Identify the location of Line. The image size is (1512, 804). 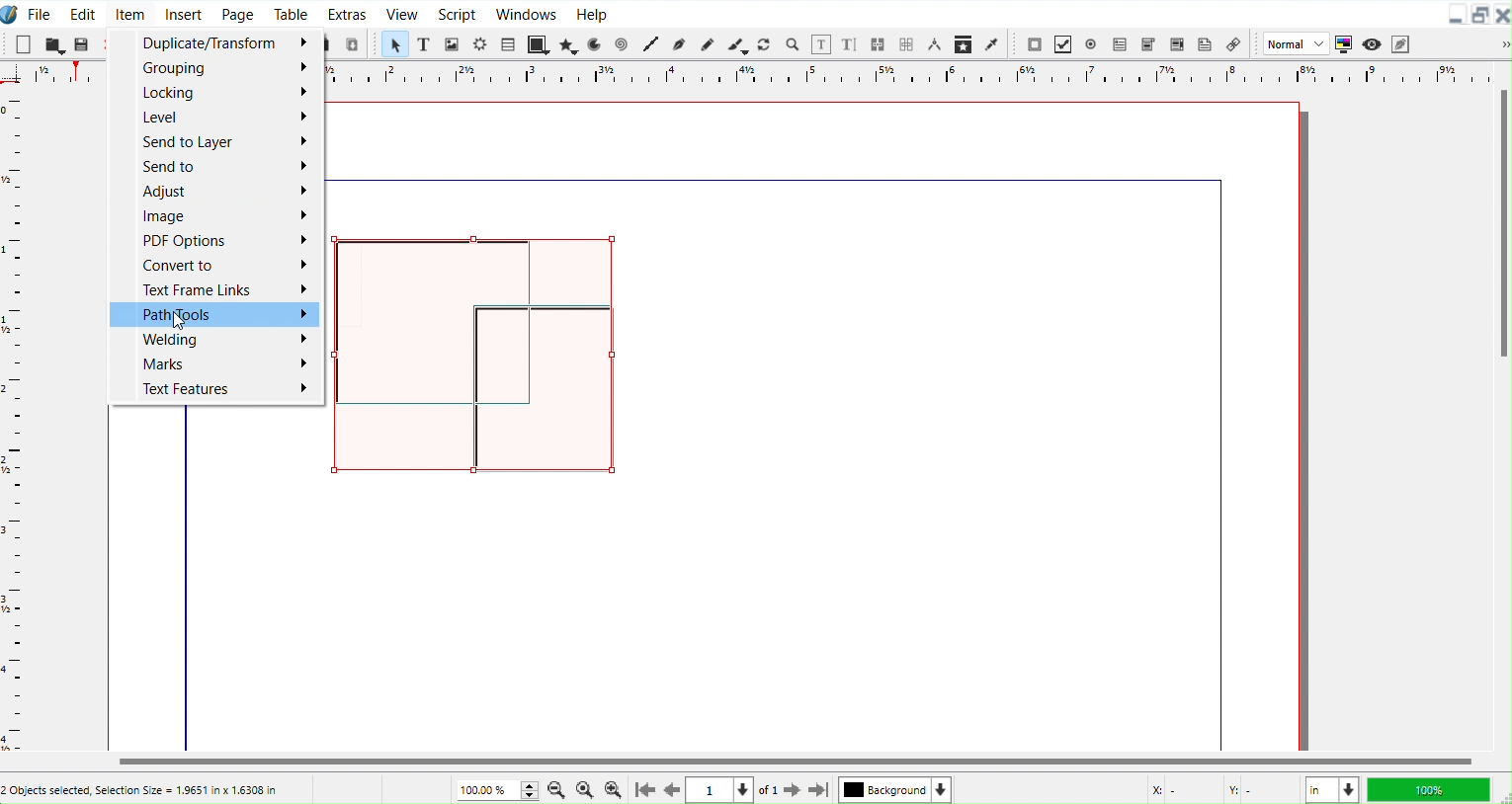
(653, 45).